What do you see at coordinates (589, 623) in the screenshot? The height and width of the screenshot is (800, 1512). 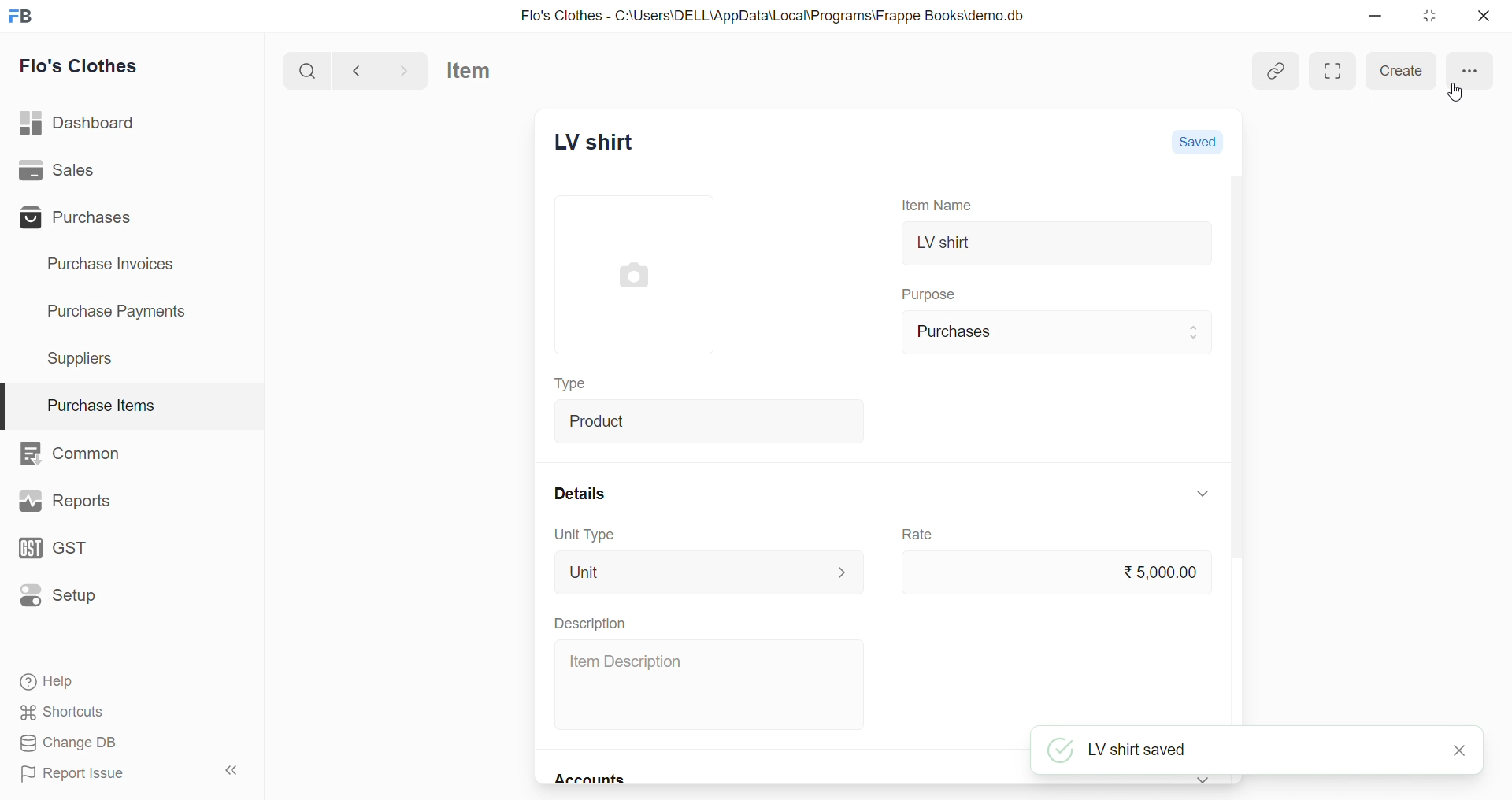 I see `Description` at bounding box center [589, 623].